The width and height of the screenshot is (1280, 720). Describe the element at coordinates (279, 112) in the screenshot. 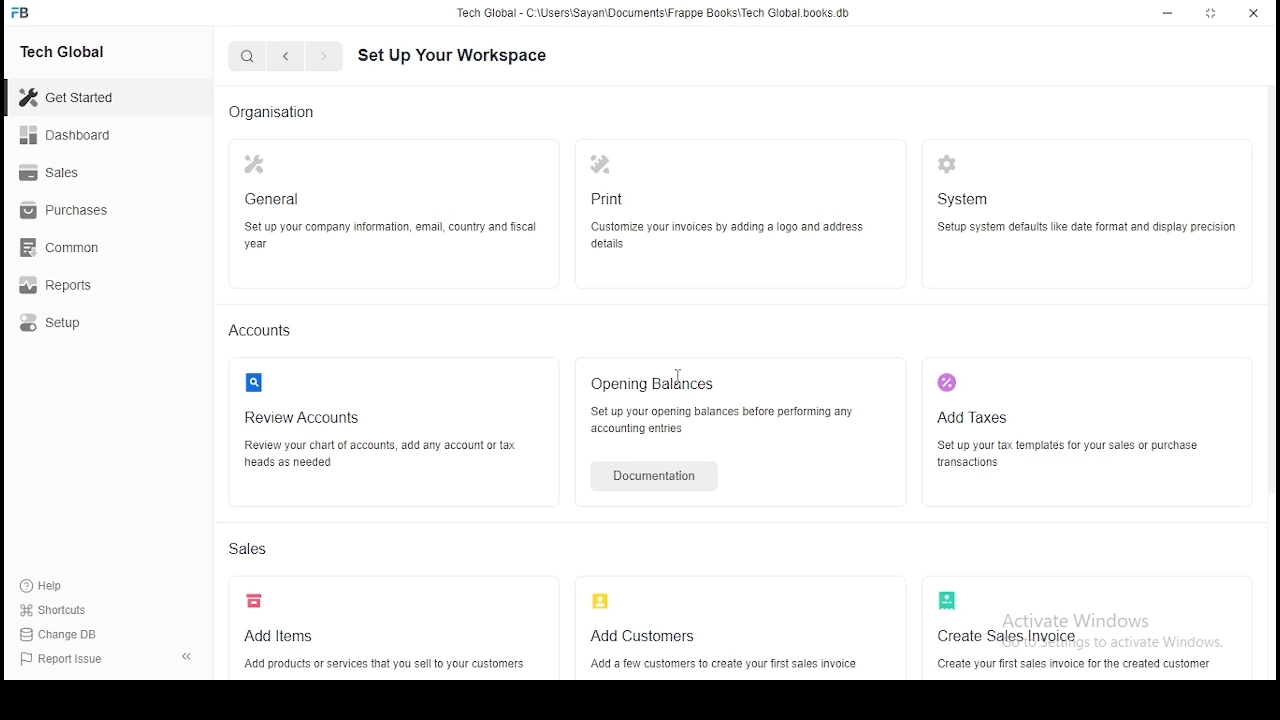

I see `organisation ` at that location.